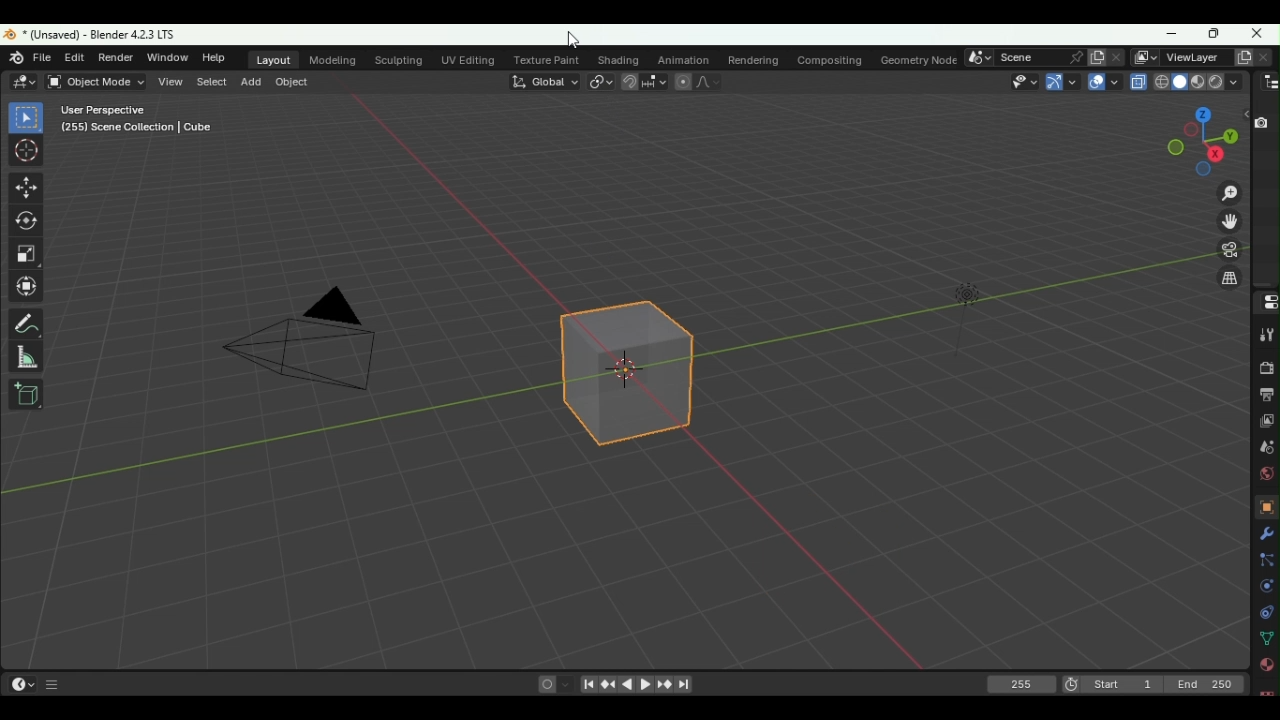 Image resolution: width=1280 pixels, height=720 pixels. What do you see at coordinates (26, 394) in the screenshot?
I see `Add cube` at bounding box center [26, 394].